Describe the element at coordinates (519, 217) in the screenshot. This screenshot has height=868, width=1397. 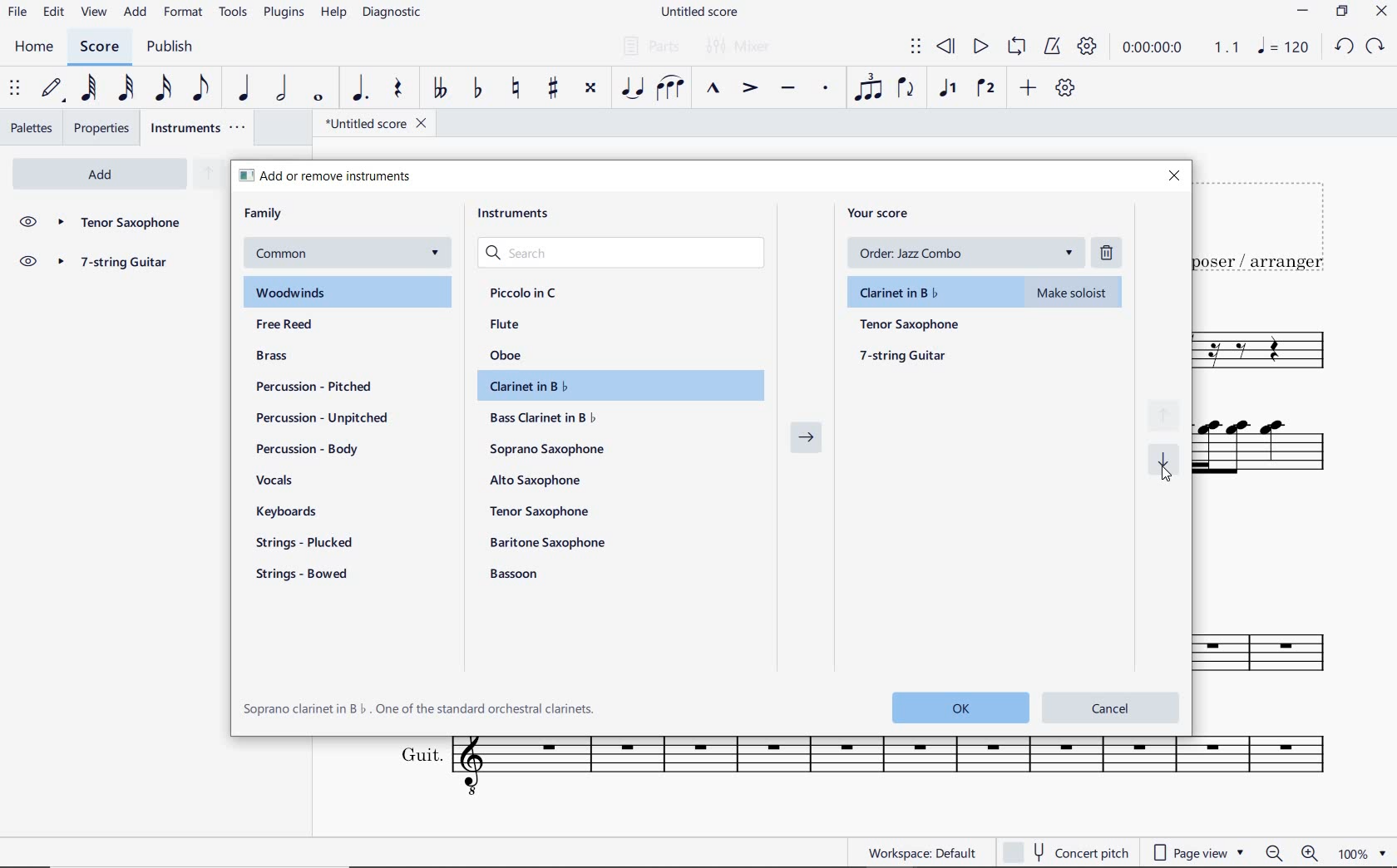
I see `instruments` at that location.